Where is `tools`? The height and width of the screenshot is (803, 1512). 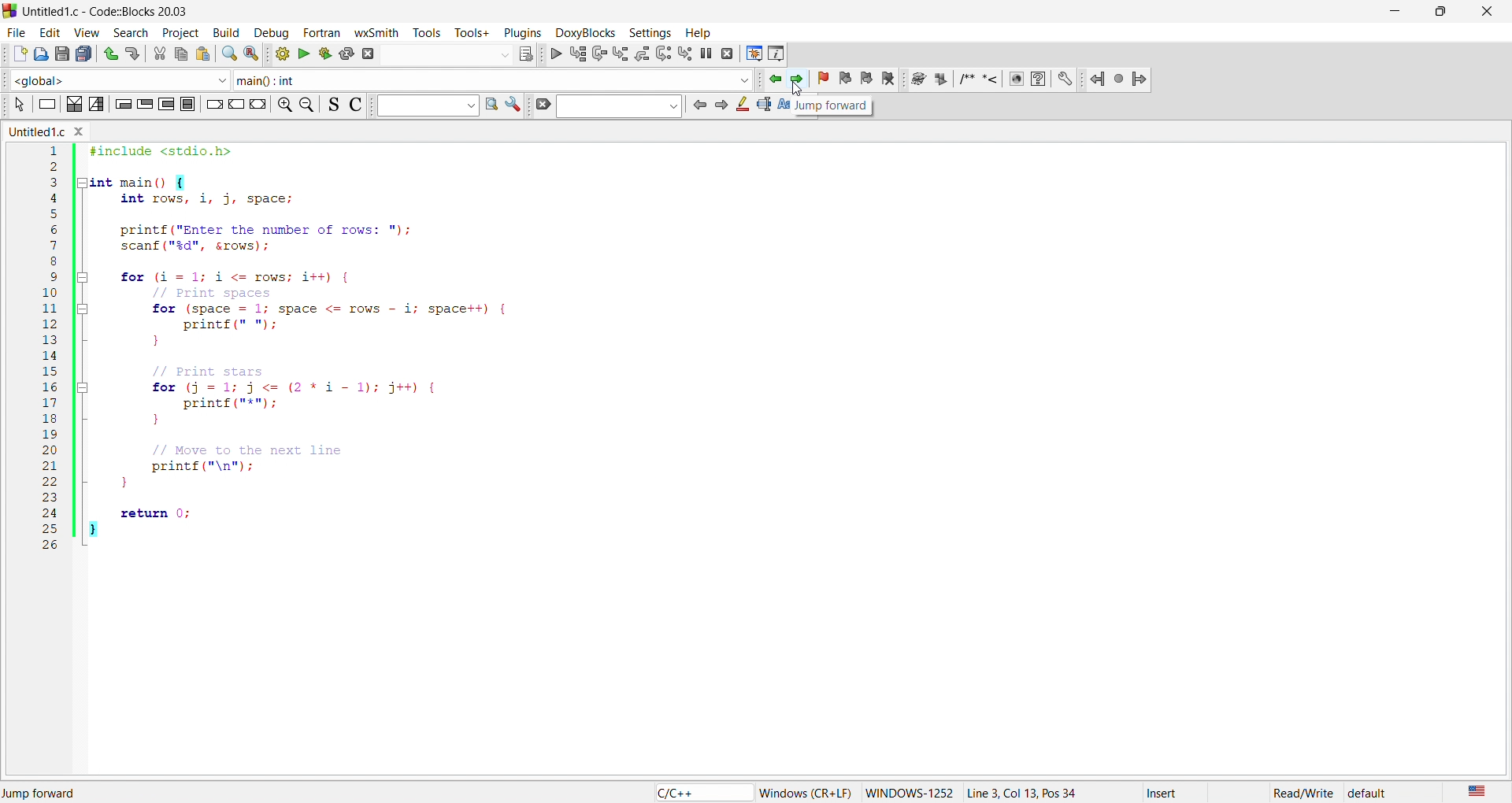 tools is located at coordinates (428, 31).